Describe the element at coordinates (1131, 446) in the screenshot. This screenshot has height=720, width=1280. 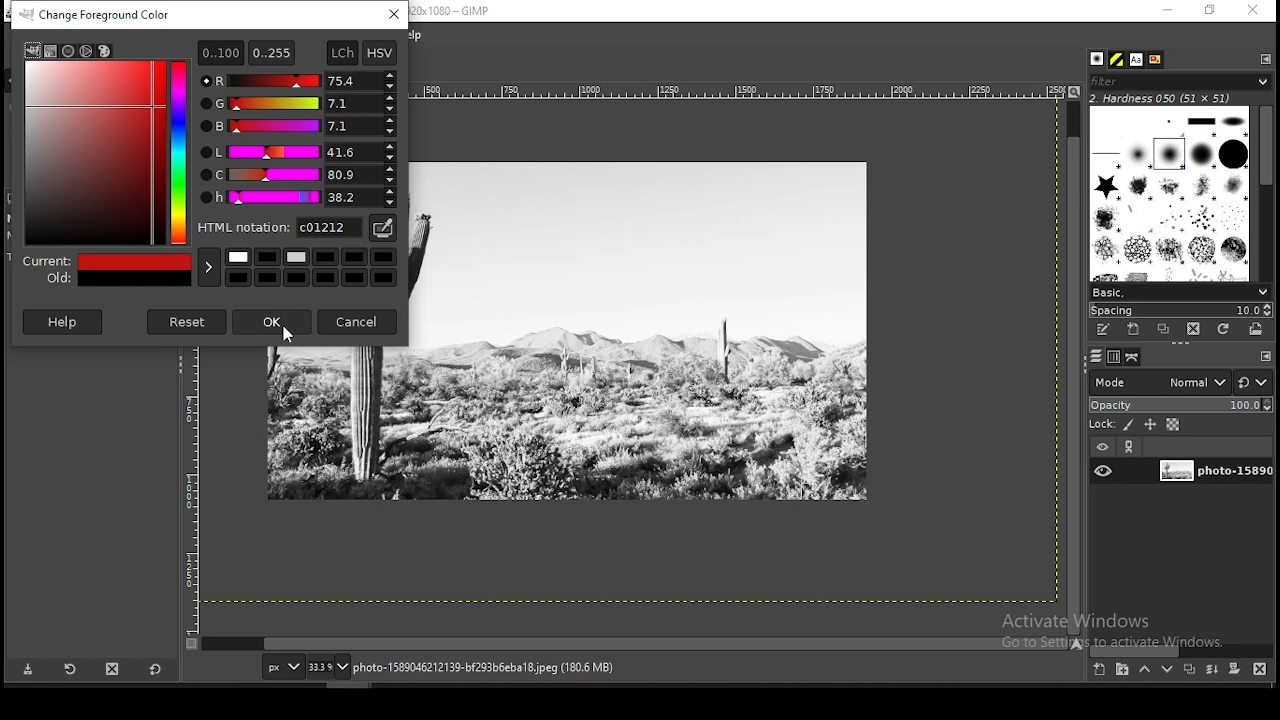
I see `link` at that location.